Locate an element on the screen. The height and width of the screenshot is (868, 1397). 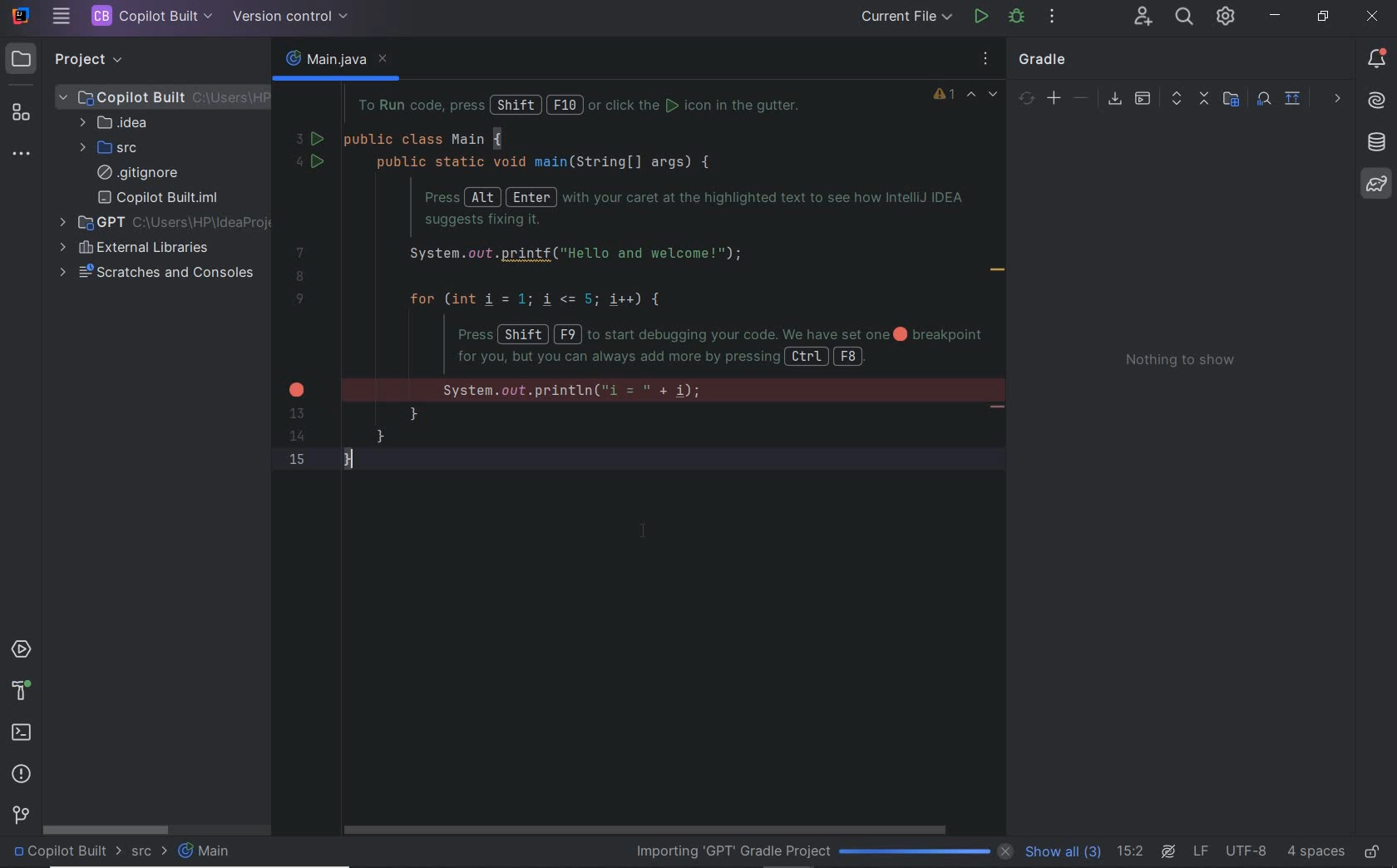
execute gradle task is located at coordinates (1142, 99).